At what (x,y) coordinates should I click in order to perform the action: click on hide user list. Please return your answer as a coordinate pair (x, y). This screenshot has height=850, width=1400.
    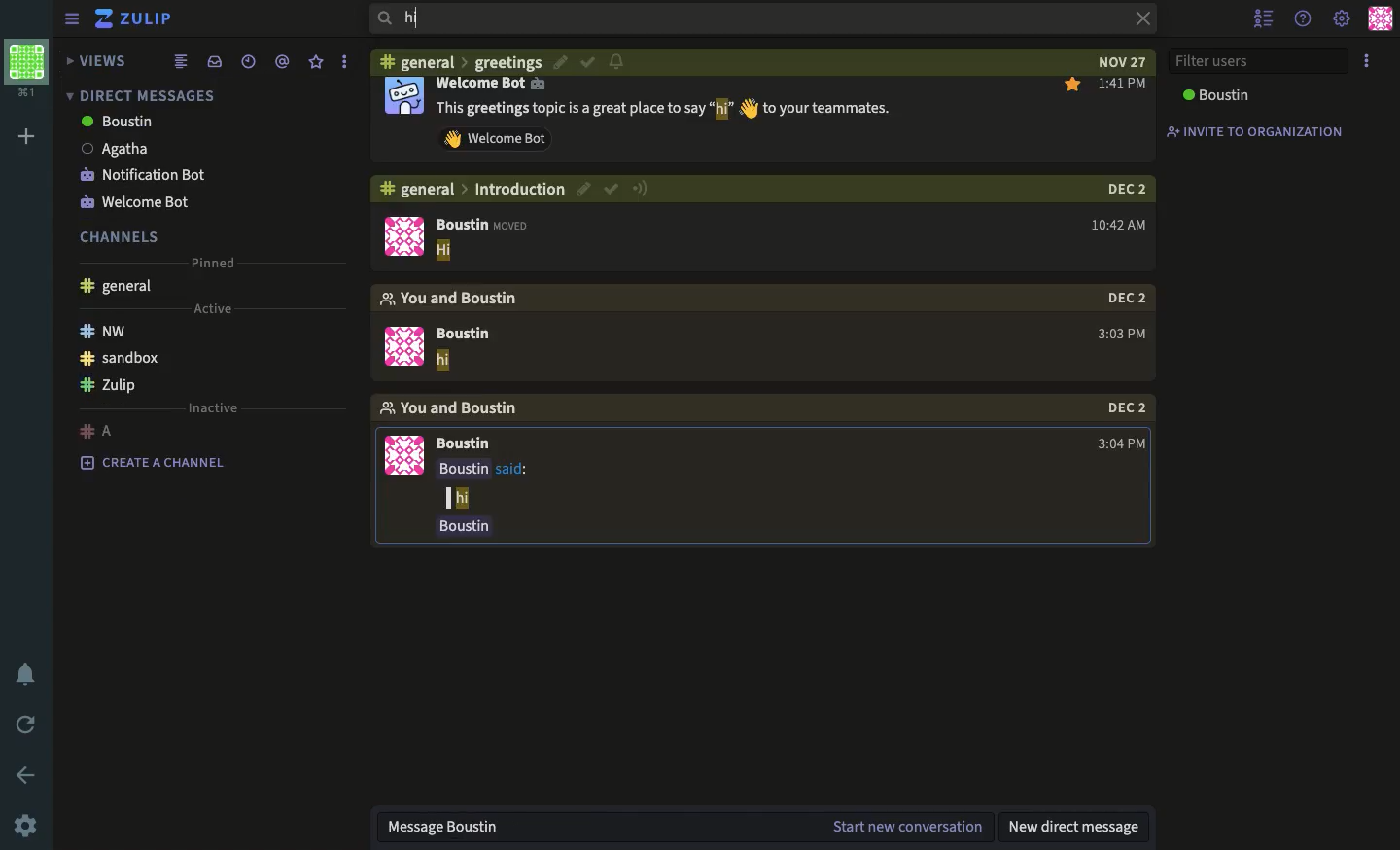
    Looking at the image, I should click on (1264, 19).